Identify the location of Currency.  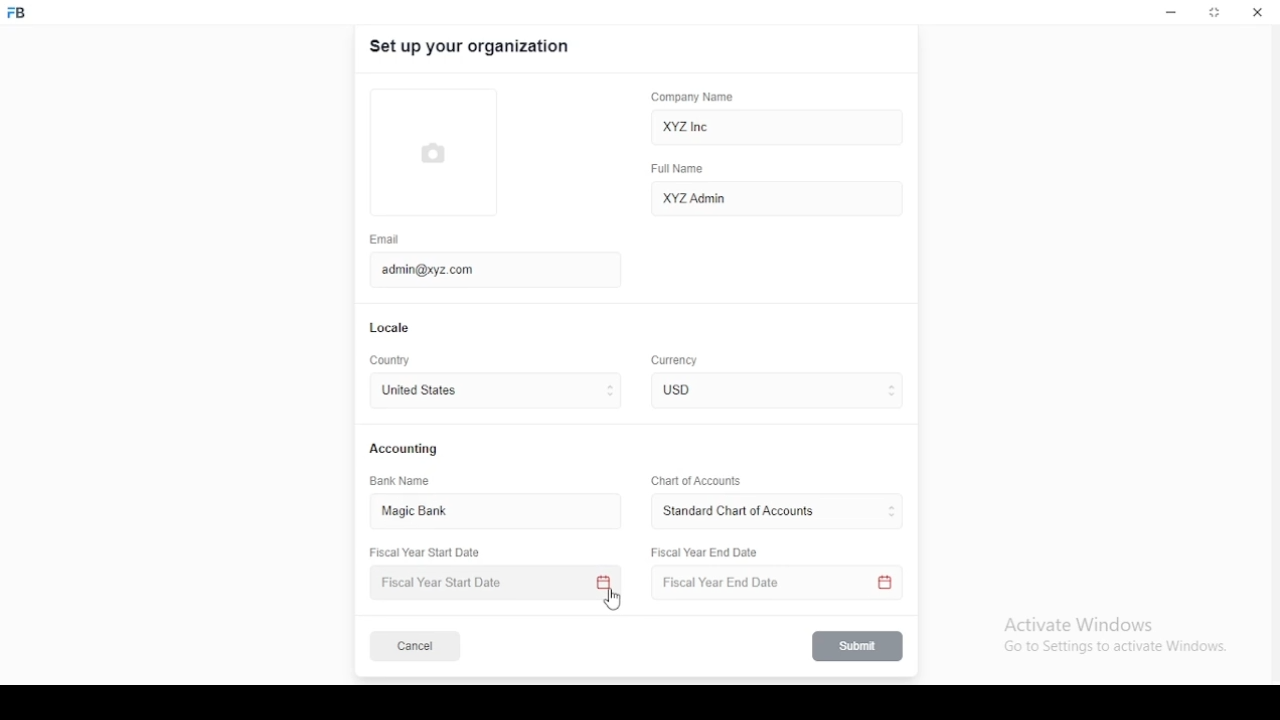
(675, 361).